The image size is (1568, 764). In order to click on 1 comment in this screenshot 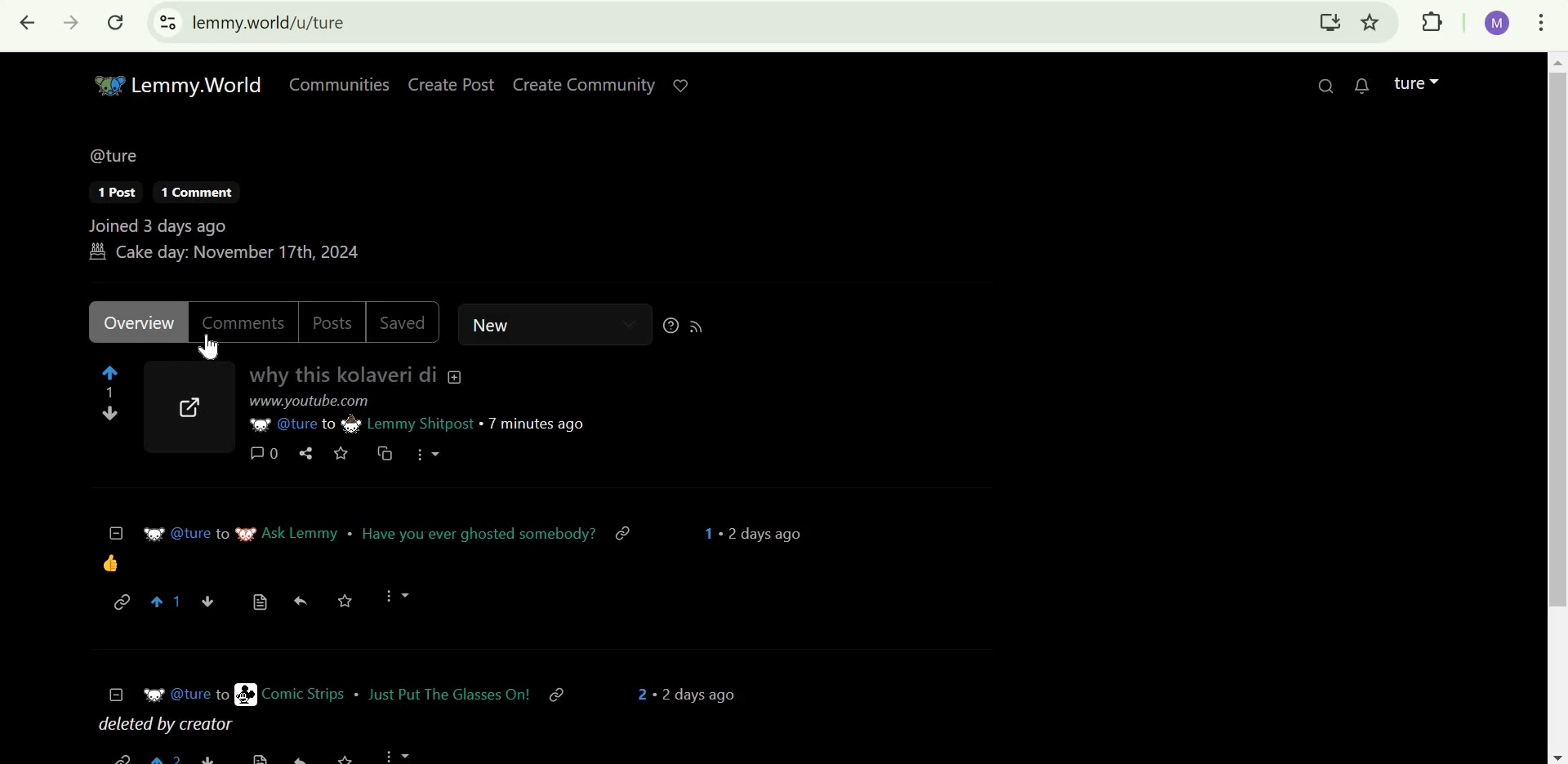, I will do `click(197, 193)`.